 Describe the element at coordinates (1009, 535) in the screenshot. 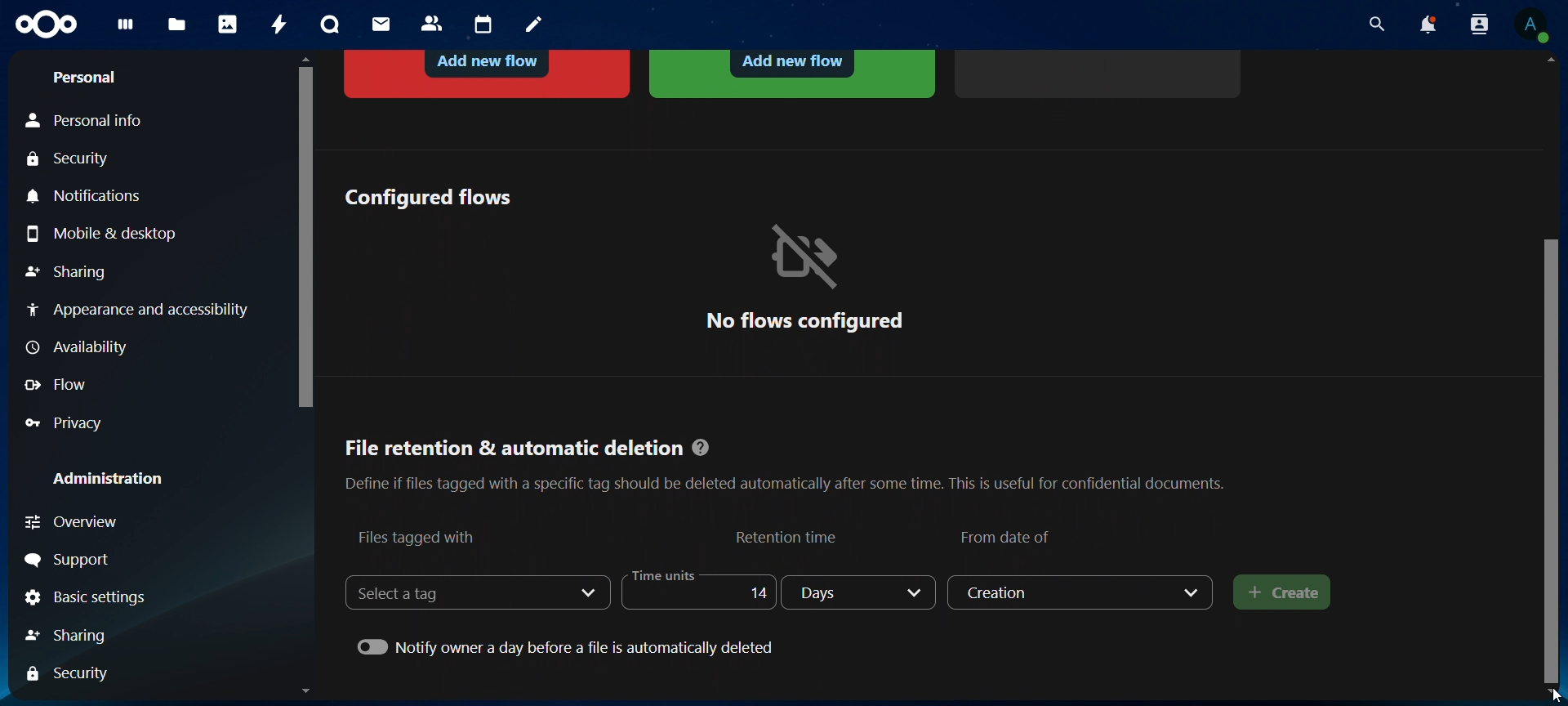

I see `from date of` at that location.